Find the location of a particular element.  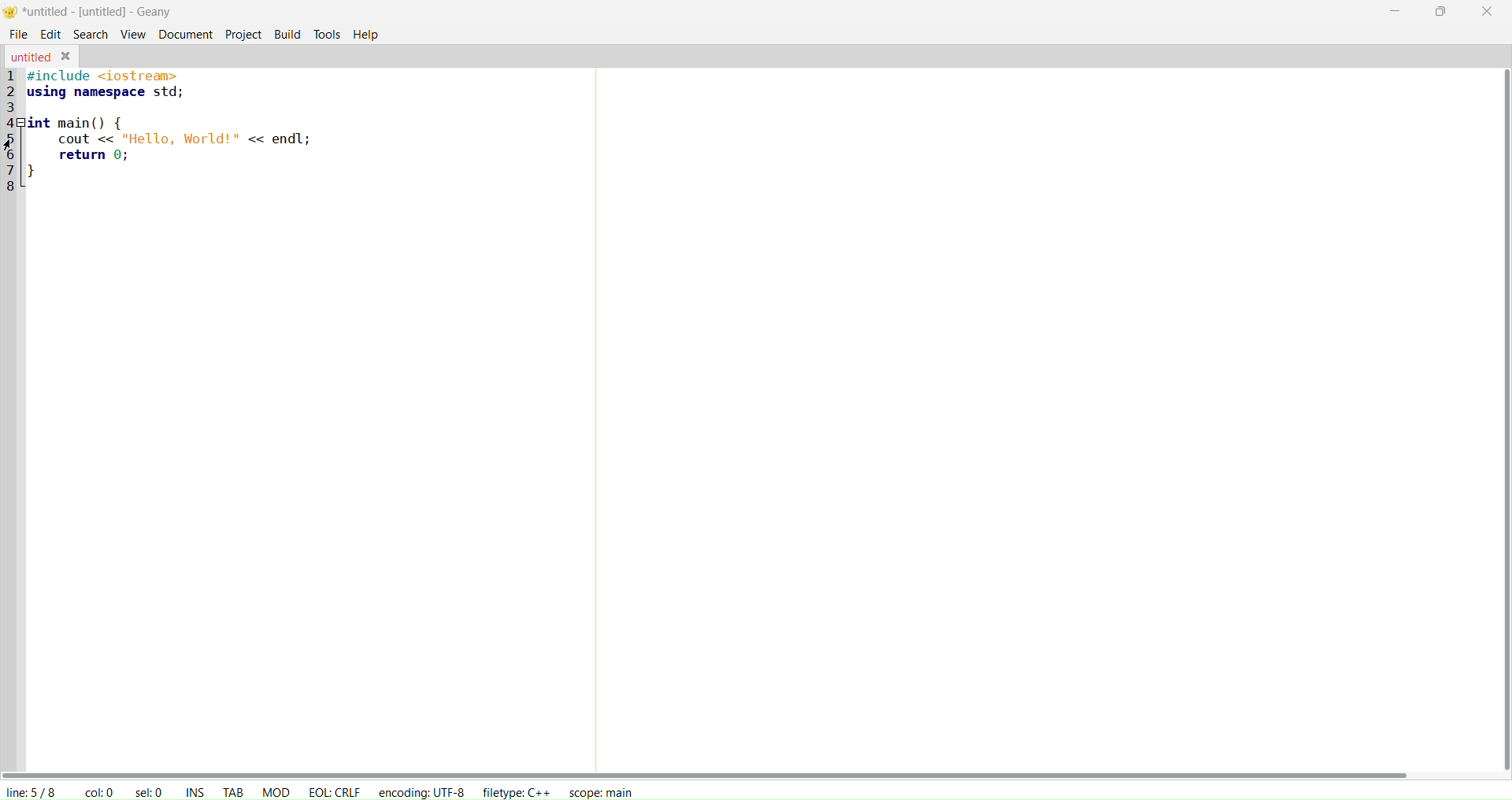

maxisimize is located at coordinates (1441, 10).